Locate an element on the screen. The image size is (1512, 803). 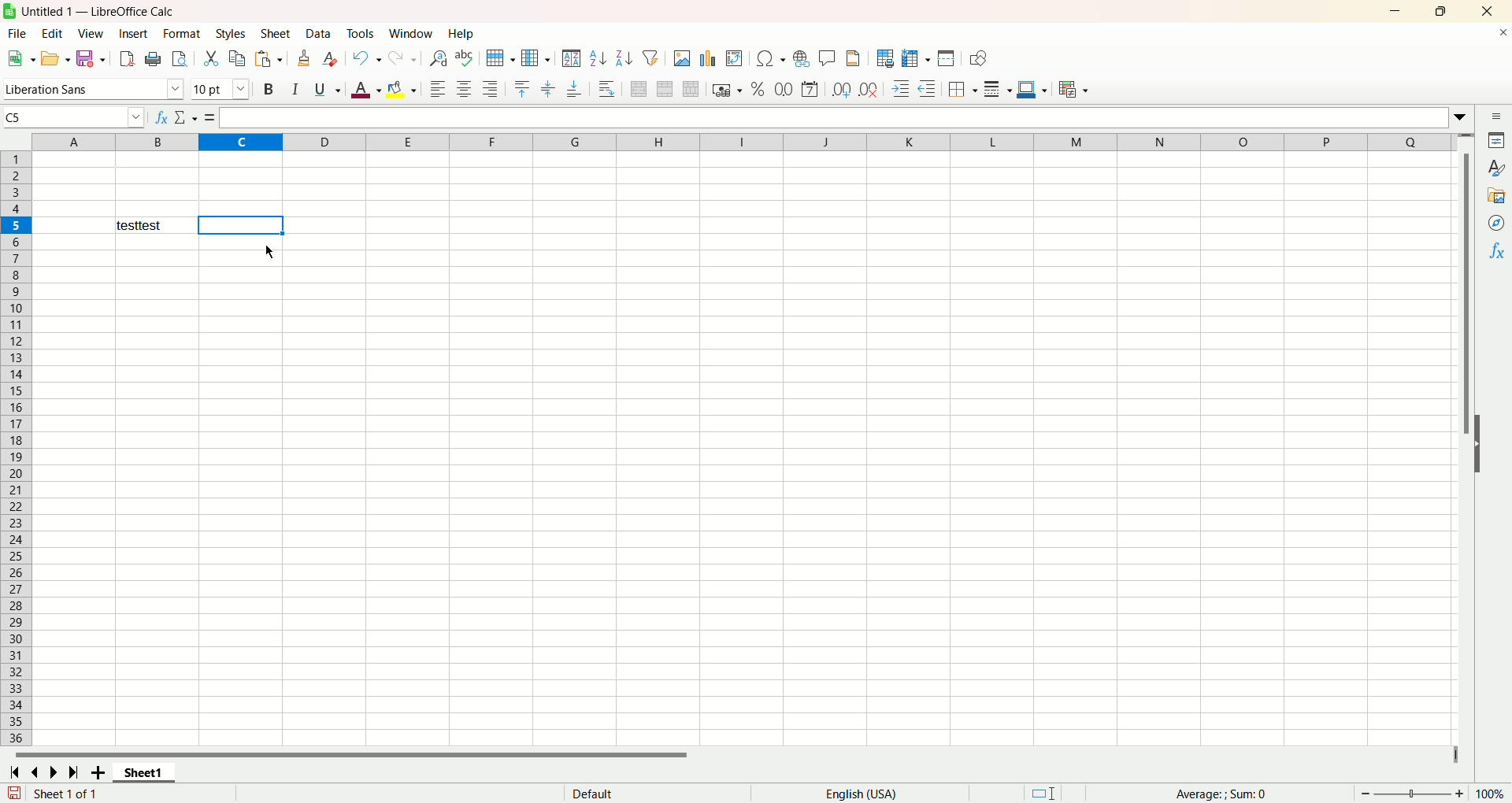
format as number is located at coordinates (784, 88).